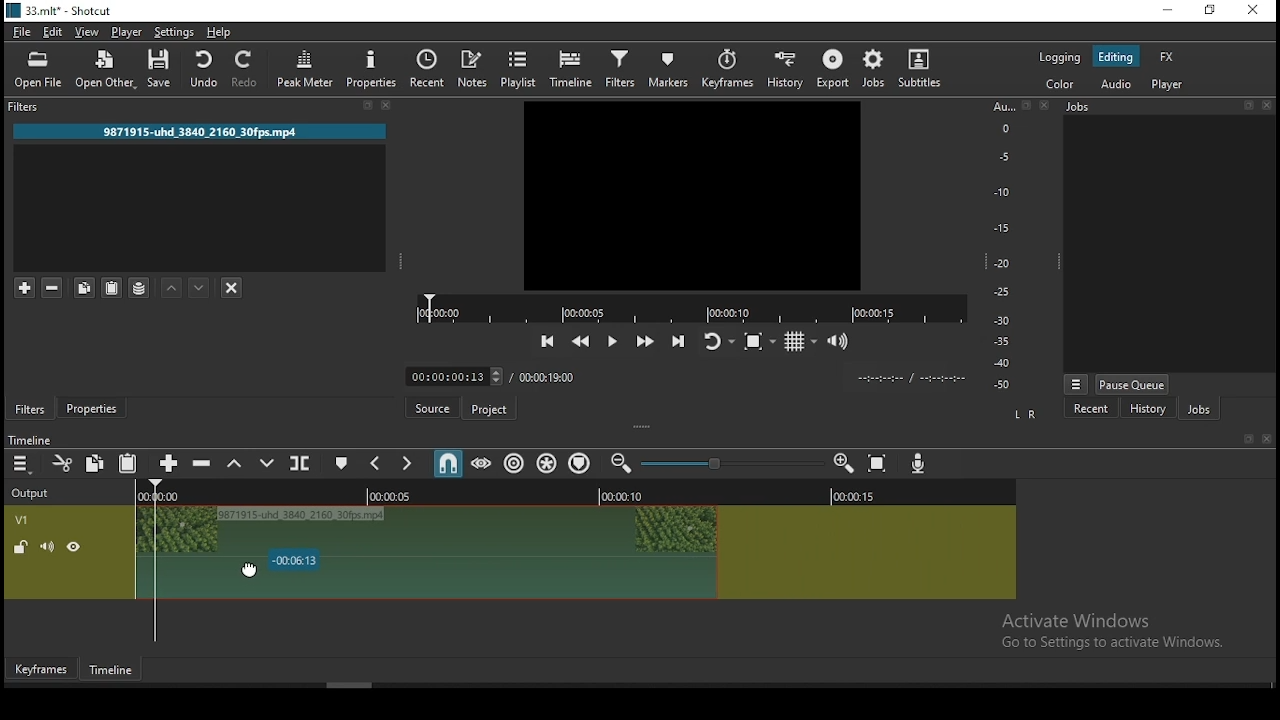 The height and width of the screenshot is (720, 1280). Describe the element at coordinates (269, 465) in the screenshot. I see `overwrite` at that location.